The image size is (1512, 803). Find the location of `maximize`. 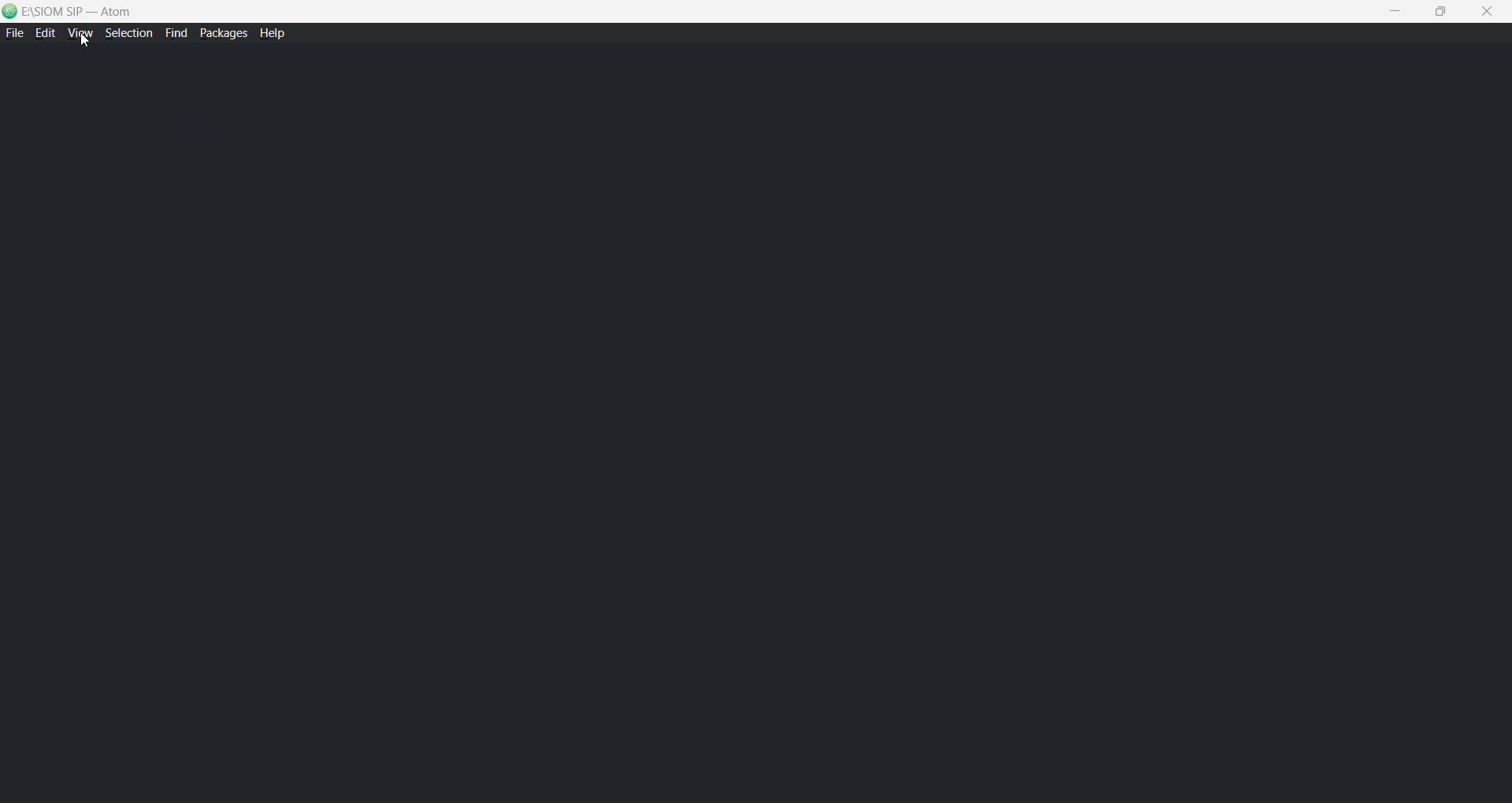

maximize is located at coordinates (1443, 13).